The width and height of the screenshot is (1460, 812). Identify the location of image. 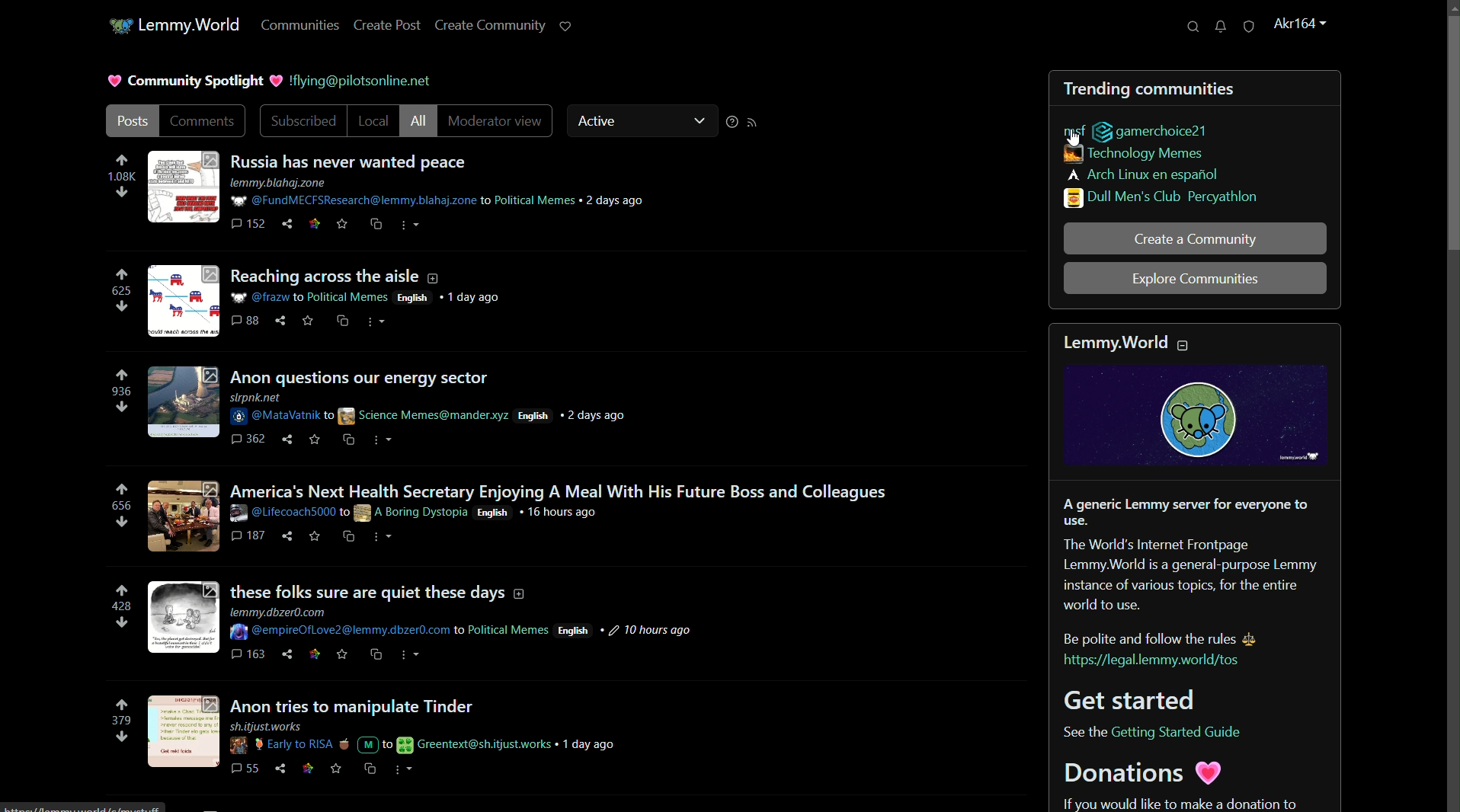
(184, 299).